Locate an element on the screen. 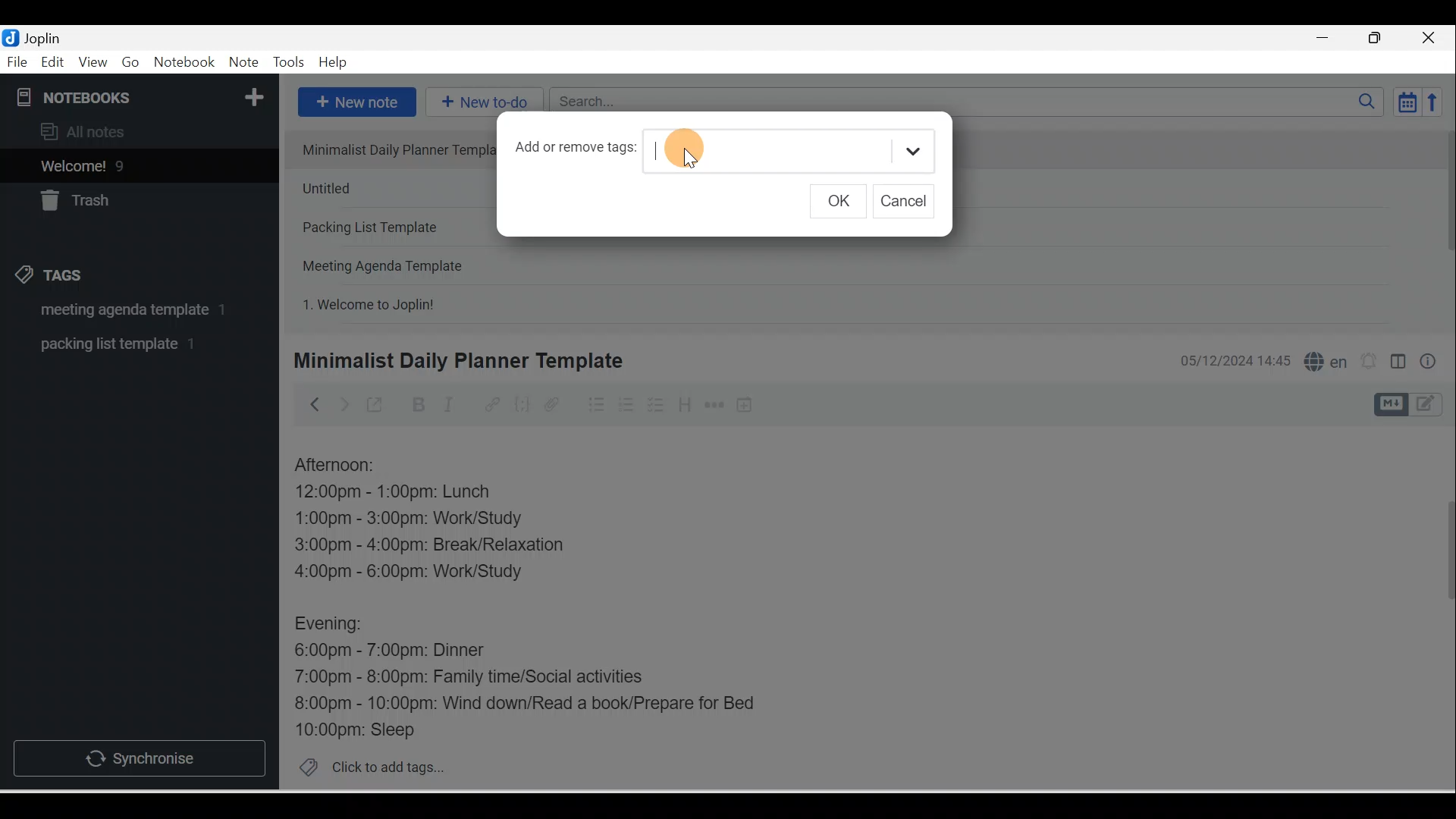  Edit is located at coordinates (54, 63).